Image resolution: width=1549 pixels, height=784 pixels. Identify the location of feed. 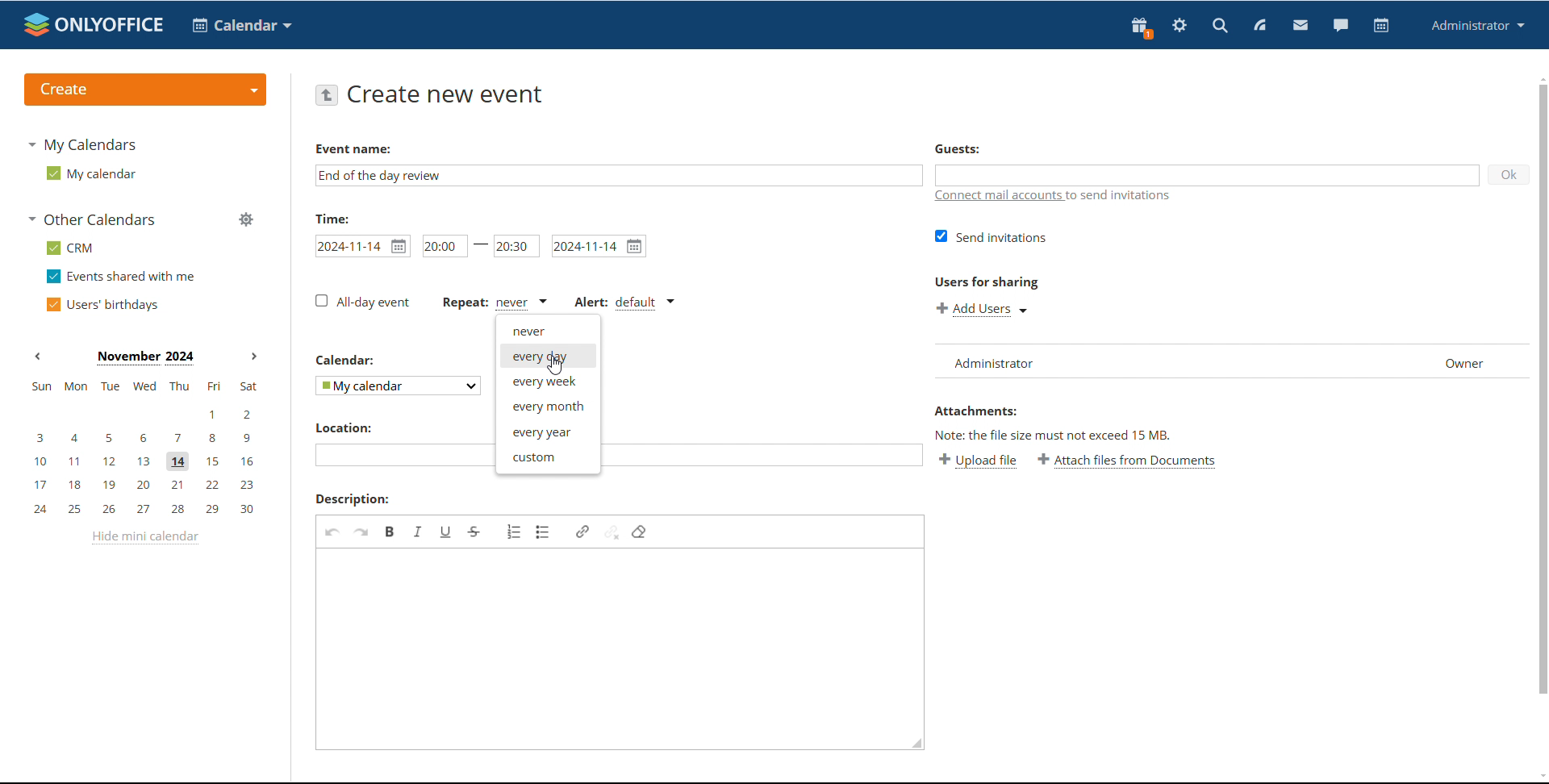
(1259, 25).